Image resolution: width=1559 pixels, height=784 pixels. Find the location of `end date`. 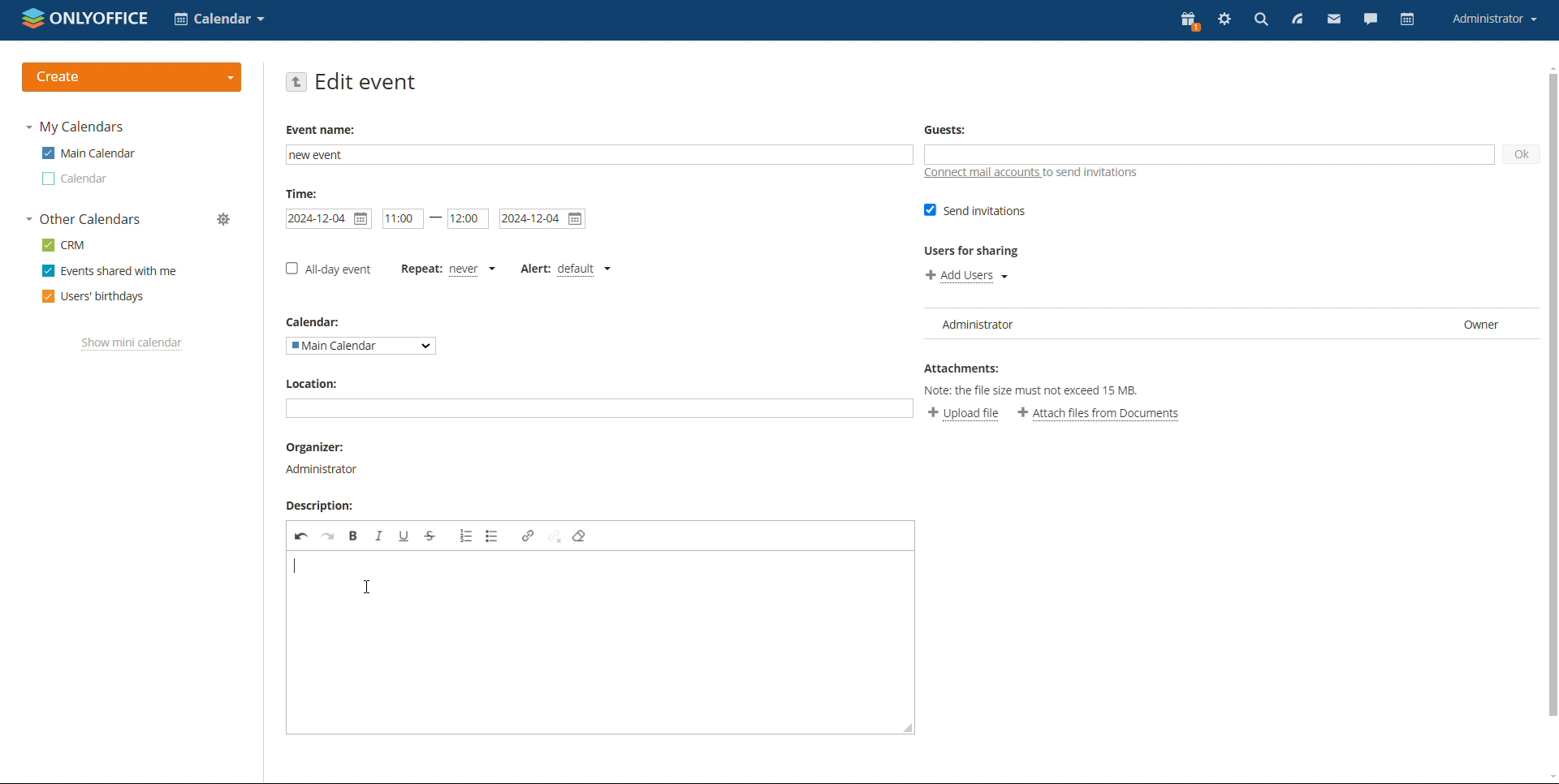

end date is located at coordinates (543, 219).